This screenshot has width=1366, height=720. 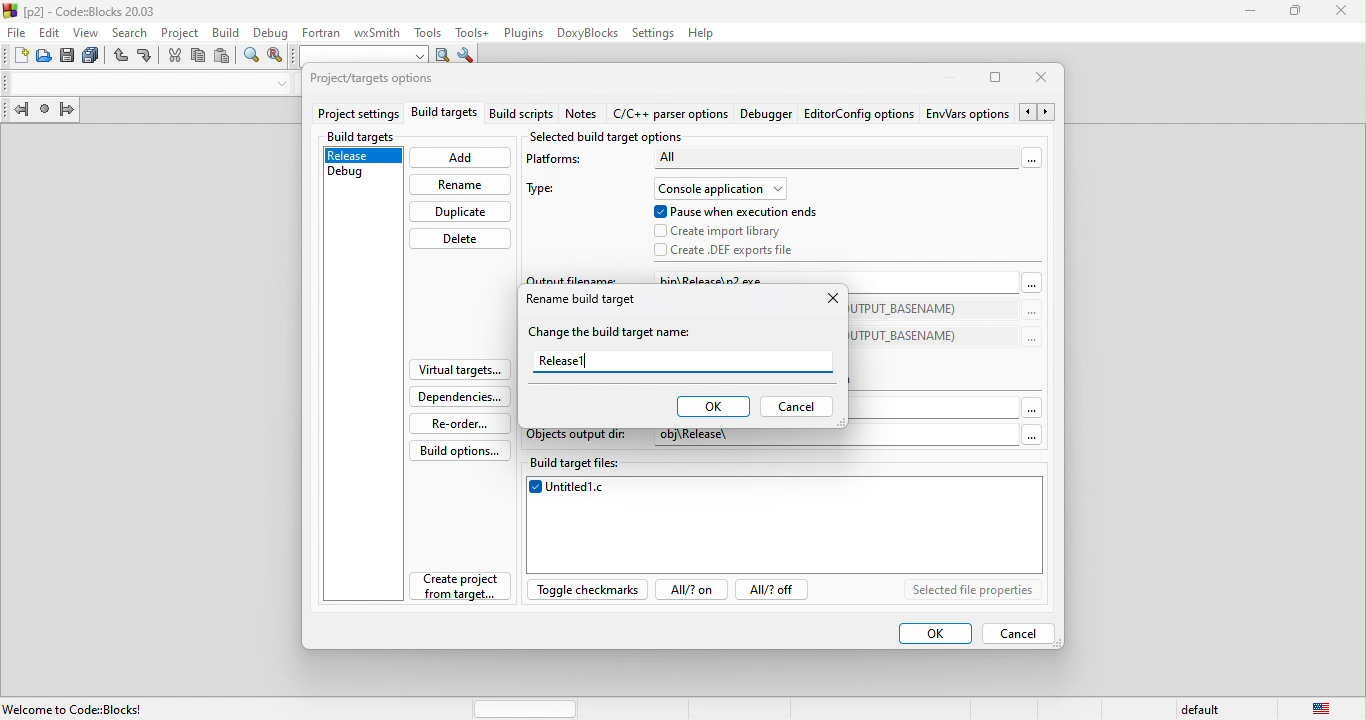 What do you see at coordinates (463, 423) in the screenshot?
I see `re order` at bounding box center [463, 423].